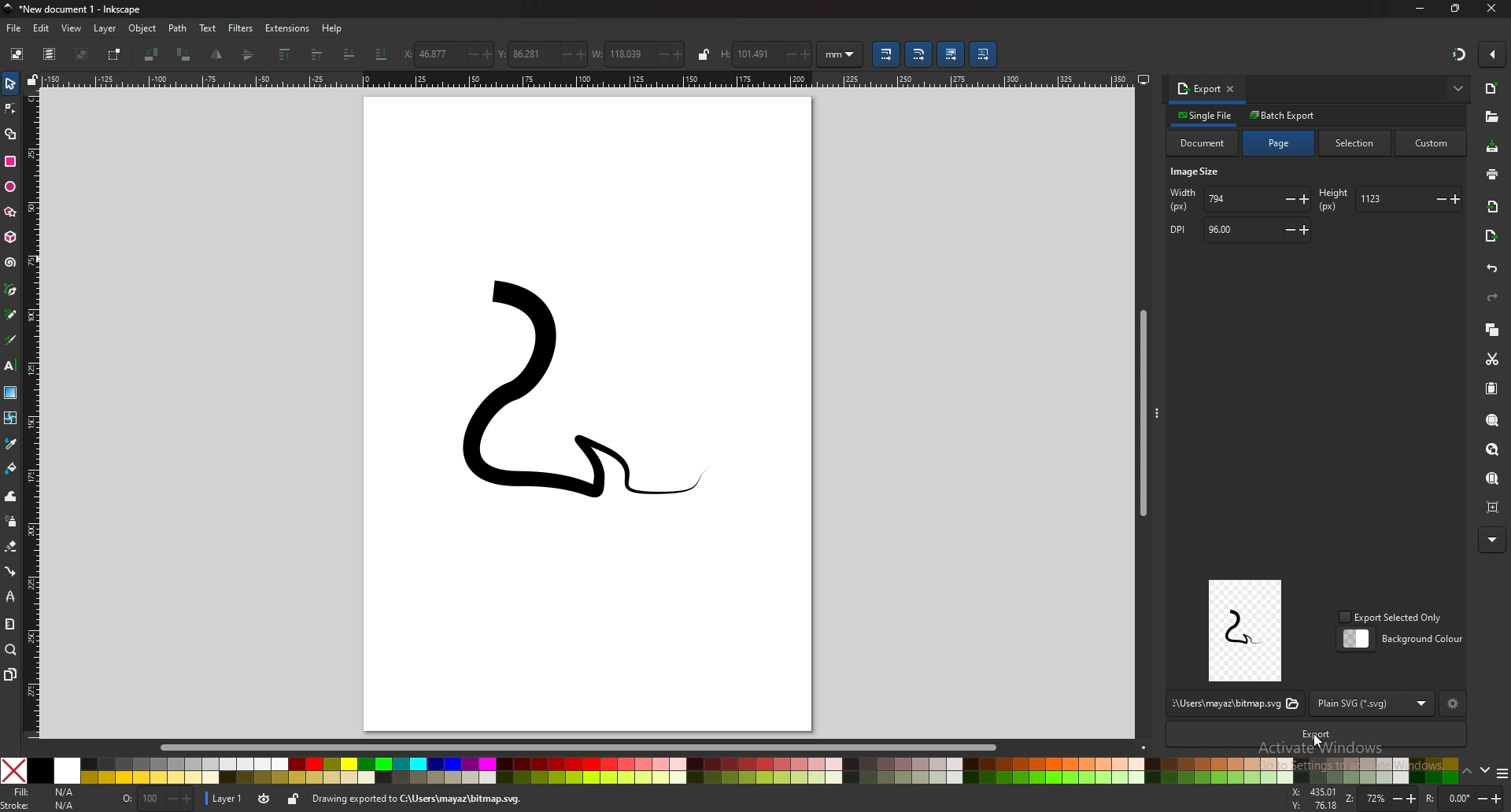 The image size is (1511, 812). I want to click on shape builder, so click(10, 133).